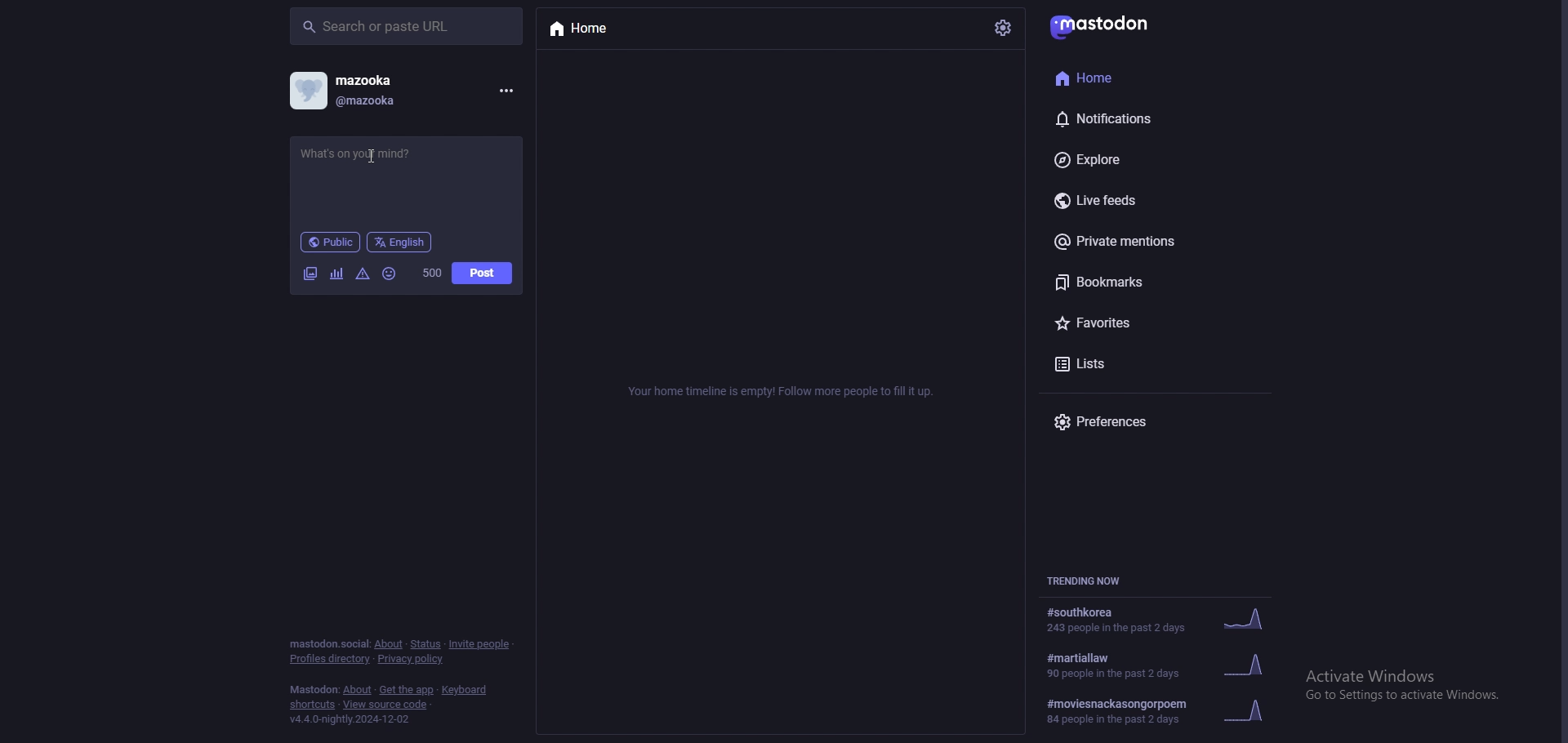  What do you see at coordinates (483, 273) in the screenshot?
I see `post` at bounding box center [483, 273].